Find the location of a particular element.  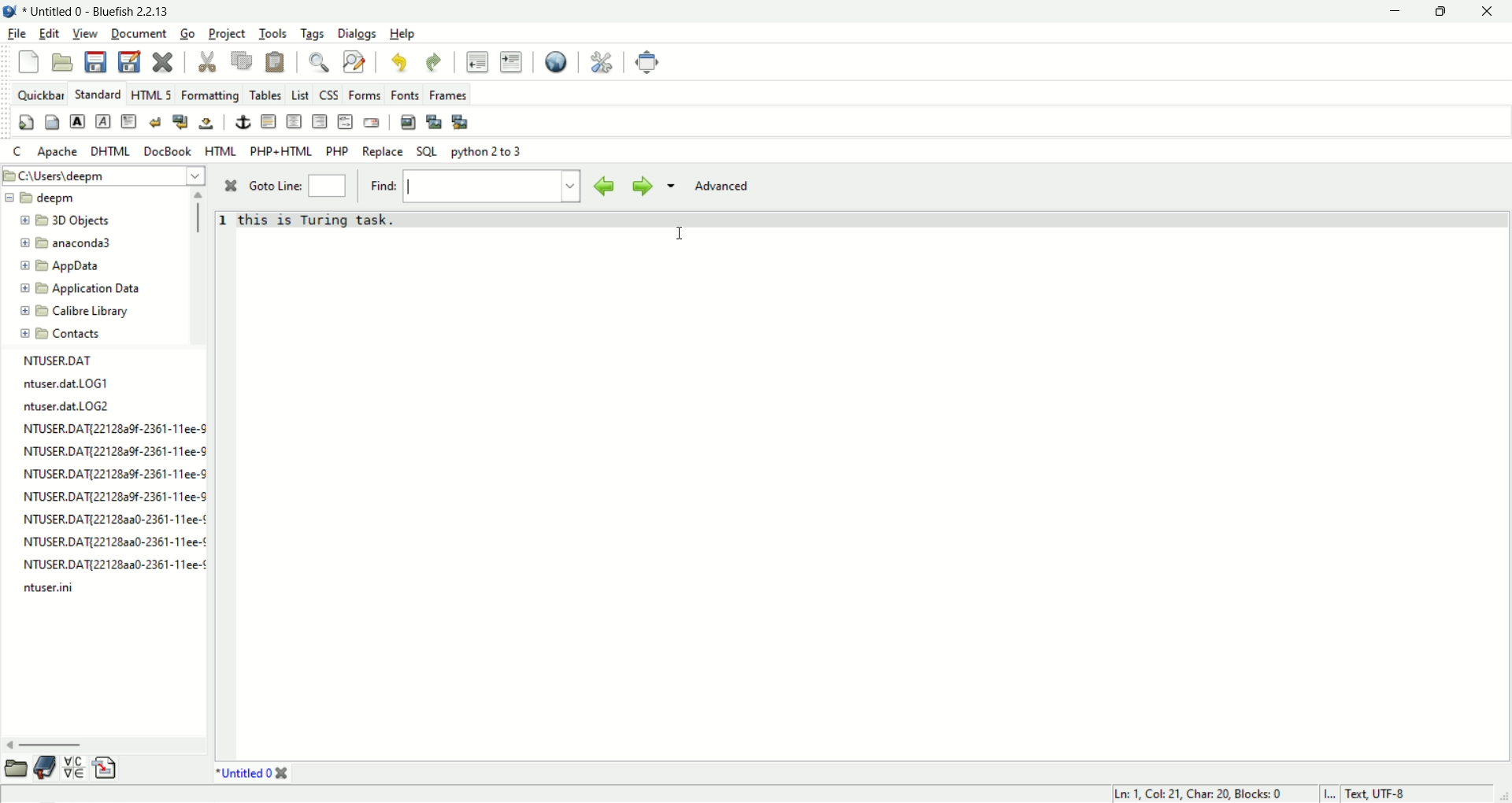

edit is located at coordinates (46, 34).